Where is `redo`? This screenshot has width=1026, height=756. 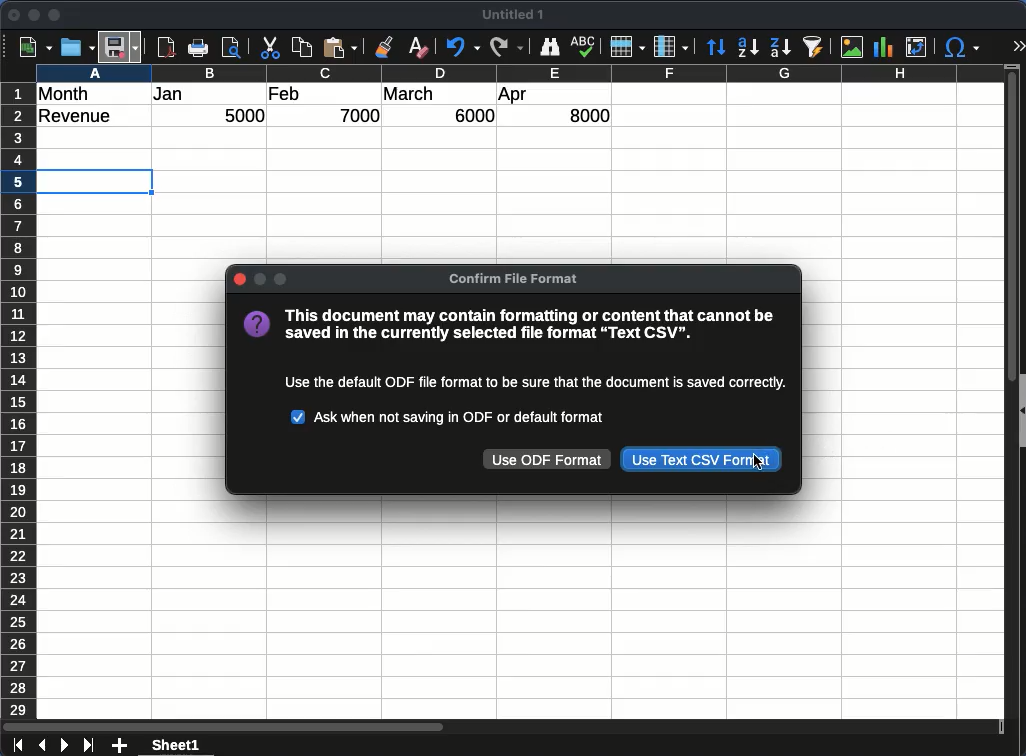 redo is located at coordinates (505, 47).